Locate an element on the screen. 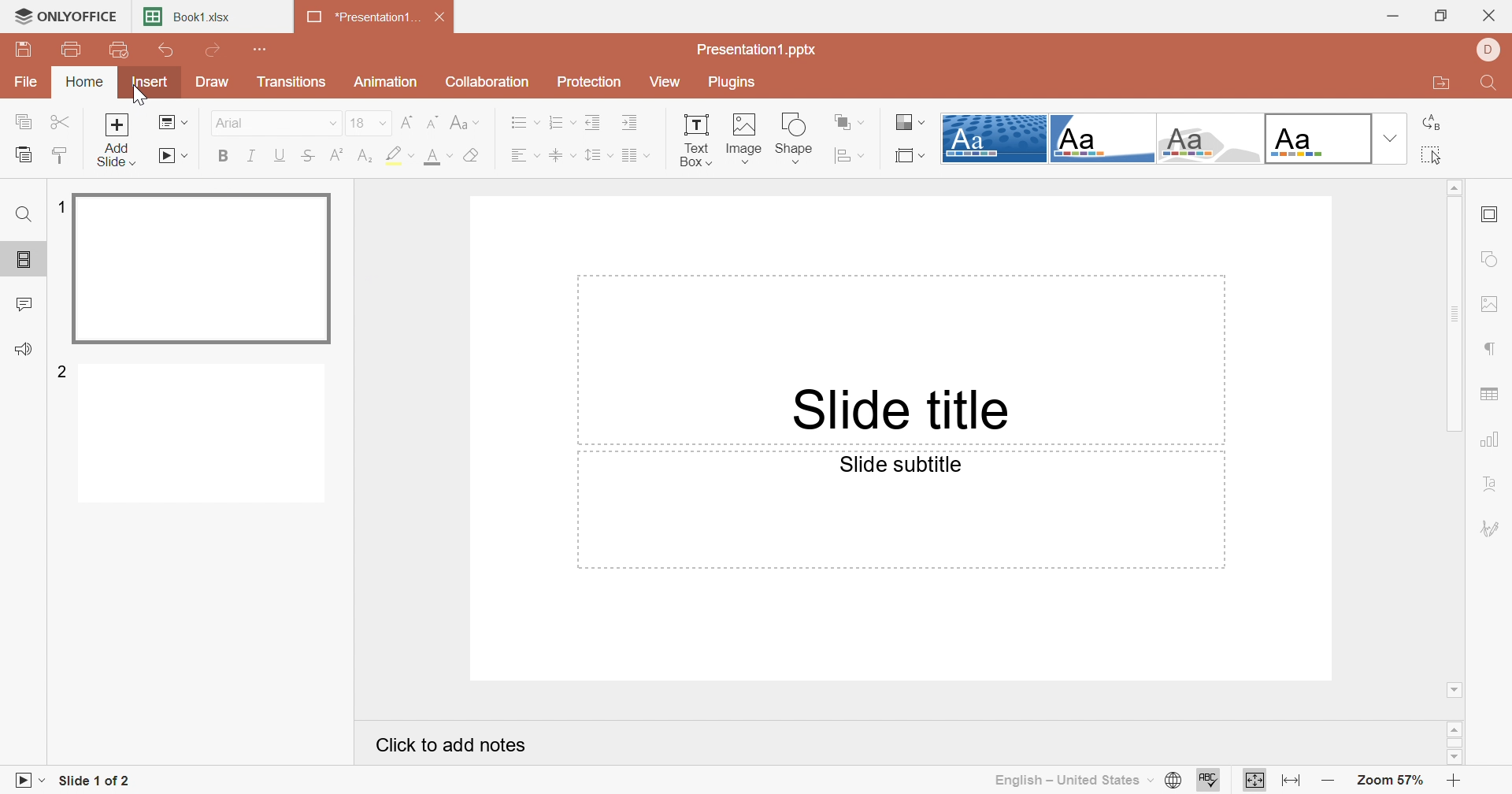 The width and height of the screenshot is (1512, 794). Drop down is located at coordinates (1393, 137).